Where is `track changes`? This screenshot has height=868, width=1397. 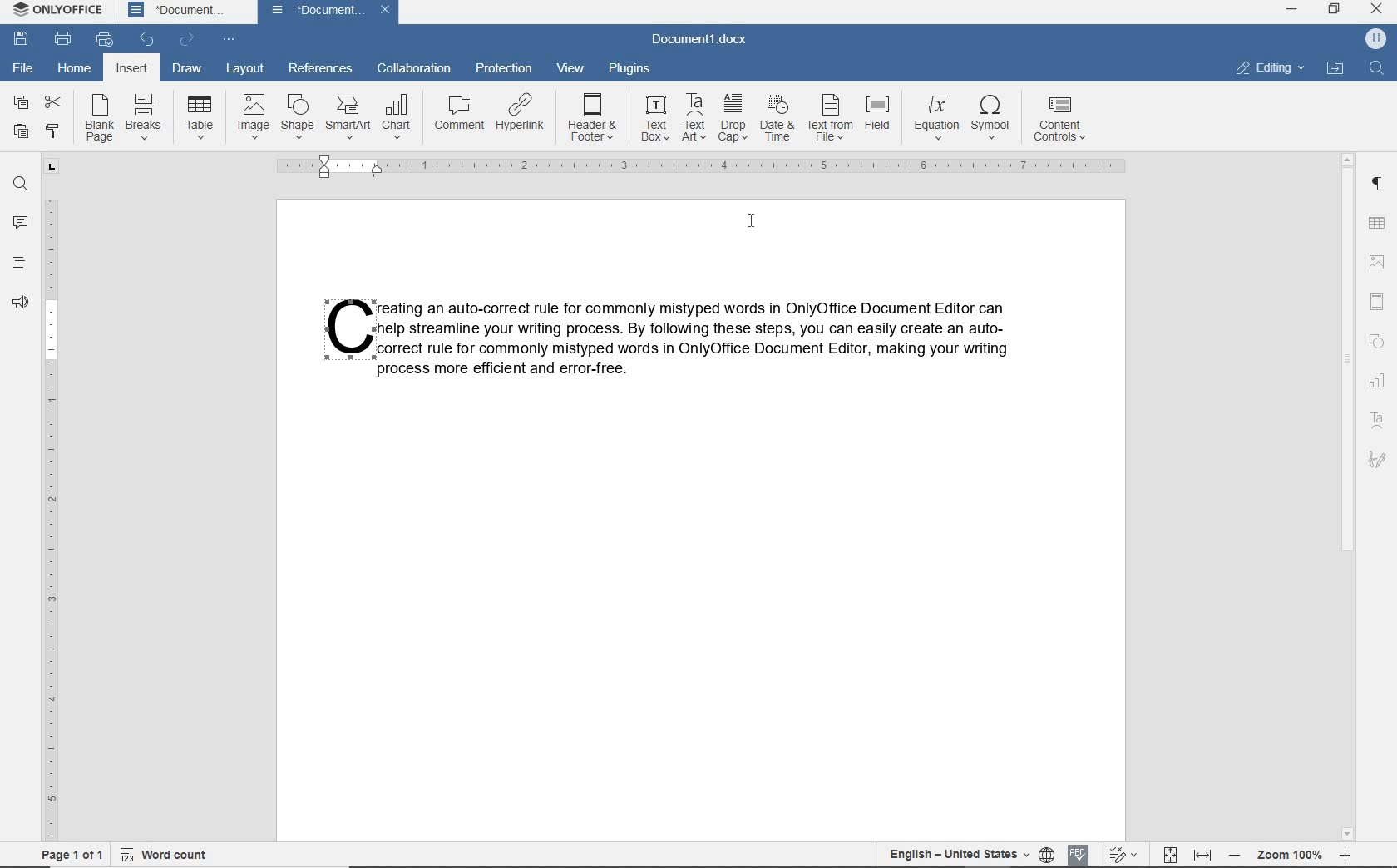 track changes is located at coordinates (1122, 856).